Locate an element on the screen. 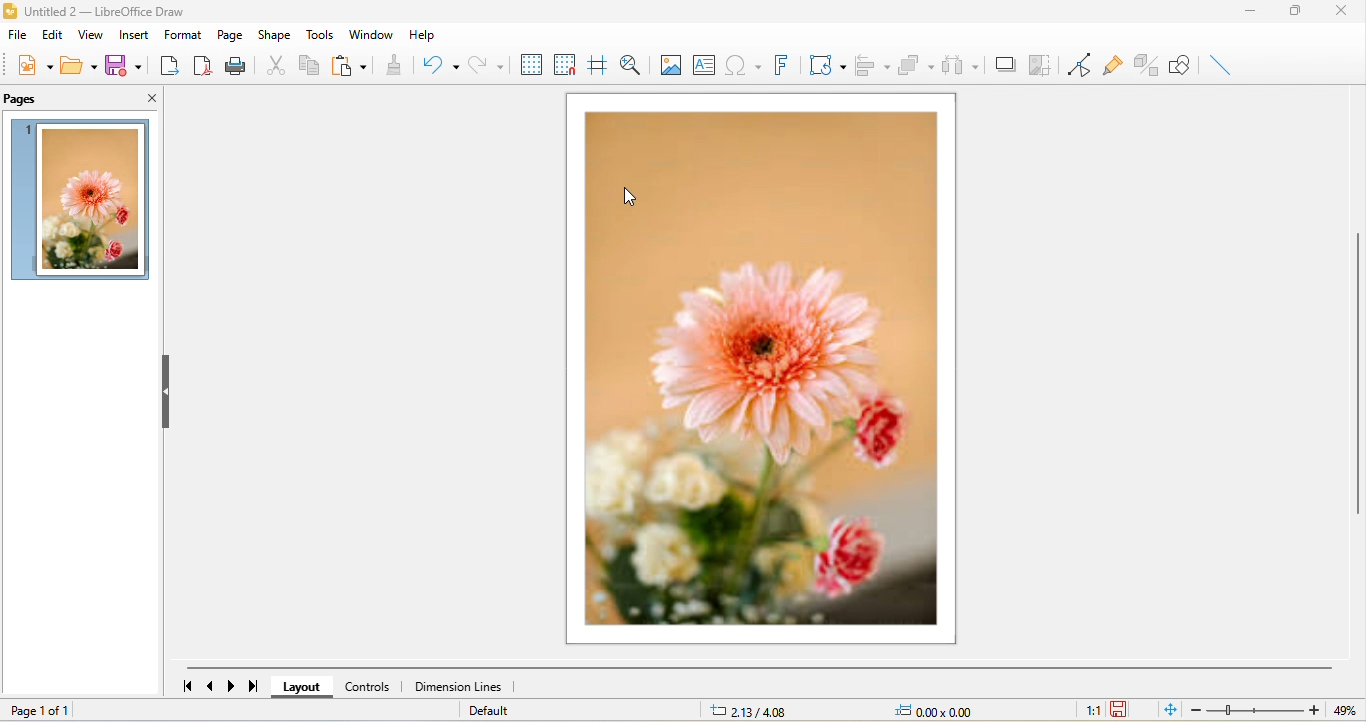  crop image is located at coordinates (1039, 63).